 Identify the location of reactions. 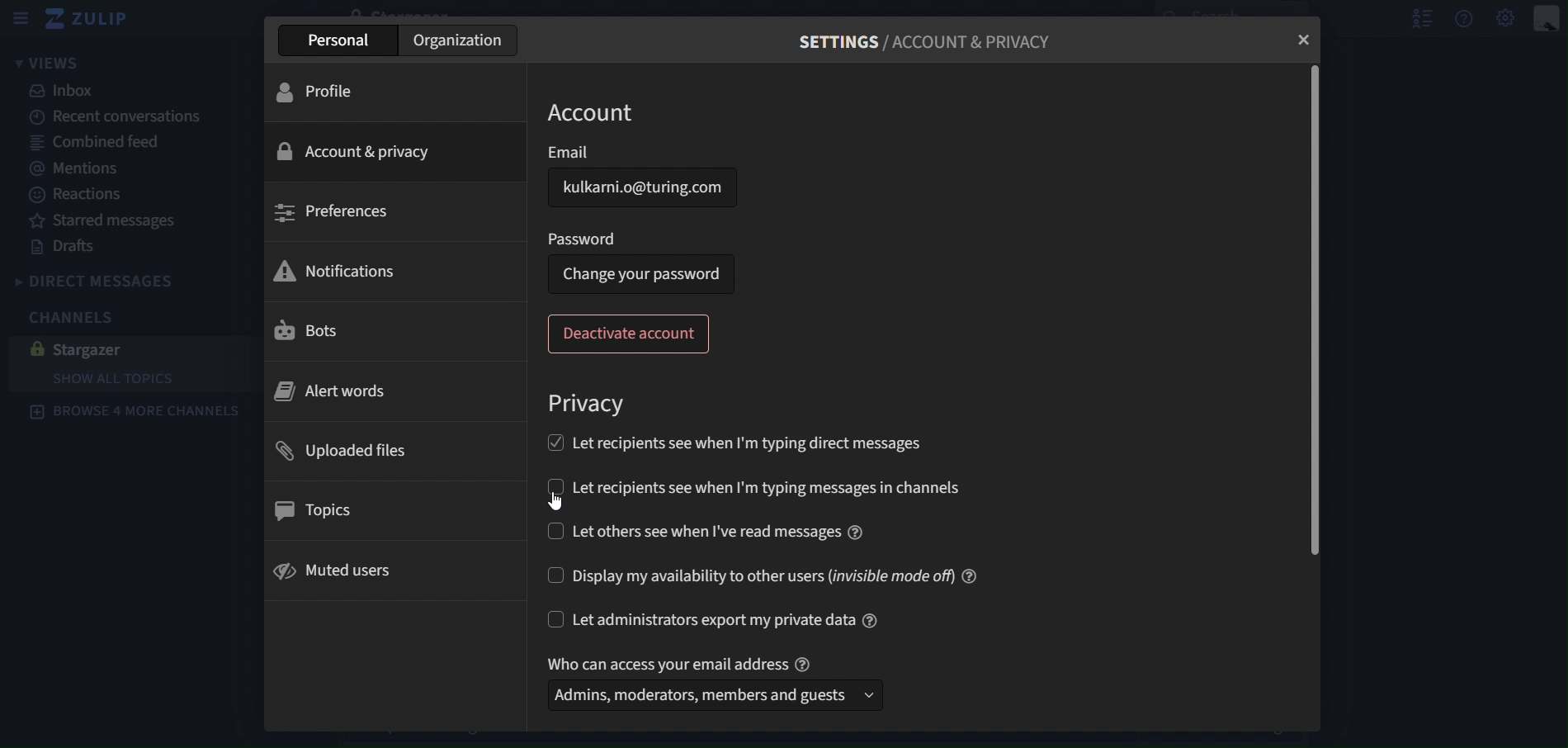
(77, 196).